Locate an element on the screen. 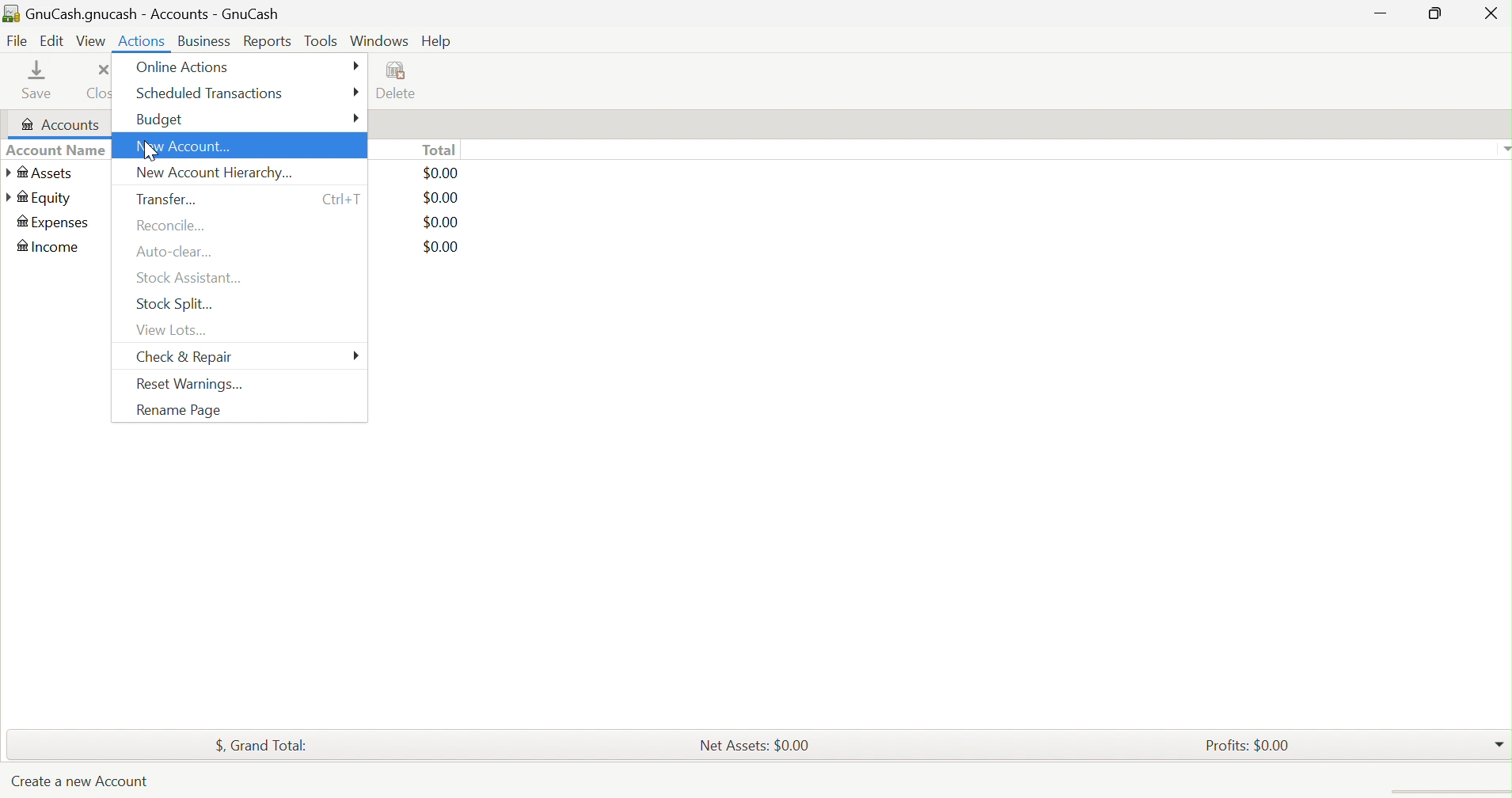 This screenshot has height=798, width=1512. Close is located at coordinates (1491, 16).